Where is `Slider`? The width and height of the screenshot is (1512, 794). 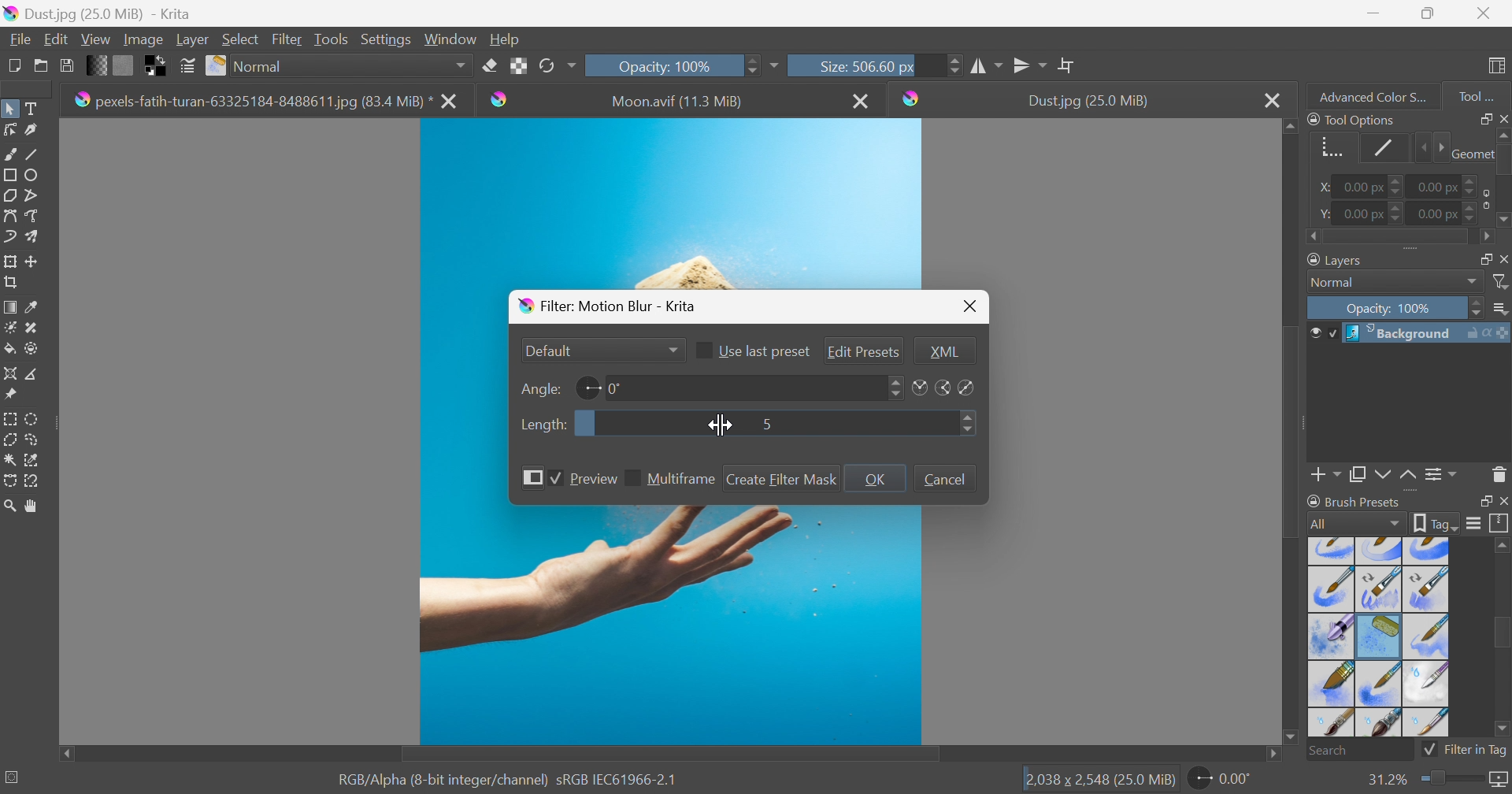
Slider is located at coordinates (1399, 238).